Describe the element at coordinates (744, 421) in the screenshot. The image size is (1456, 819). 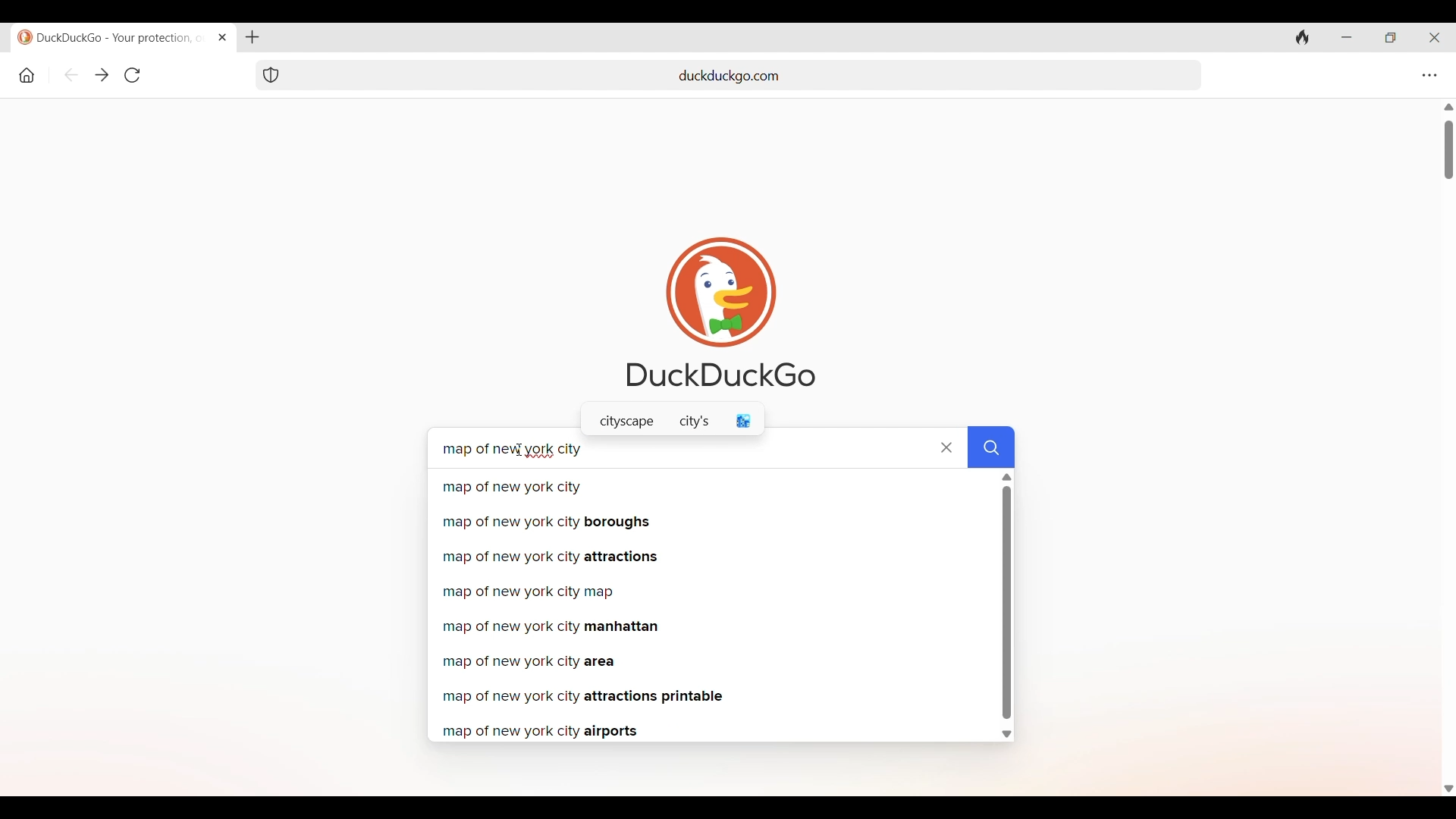
I see `Suggesting image` at that location.